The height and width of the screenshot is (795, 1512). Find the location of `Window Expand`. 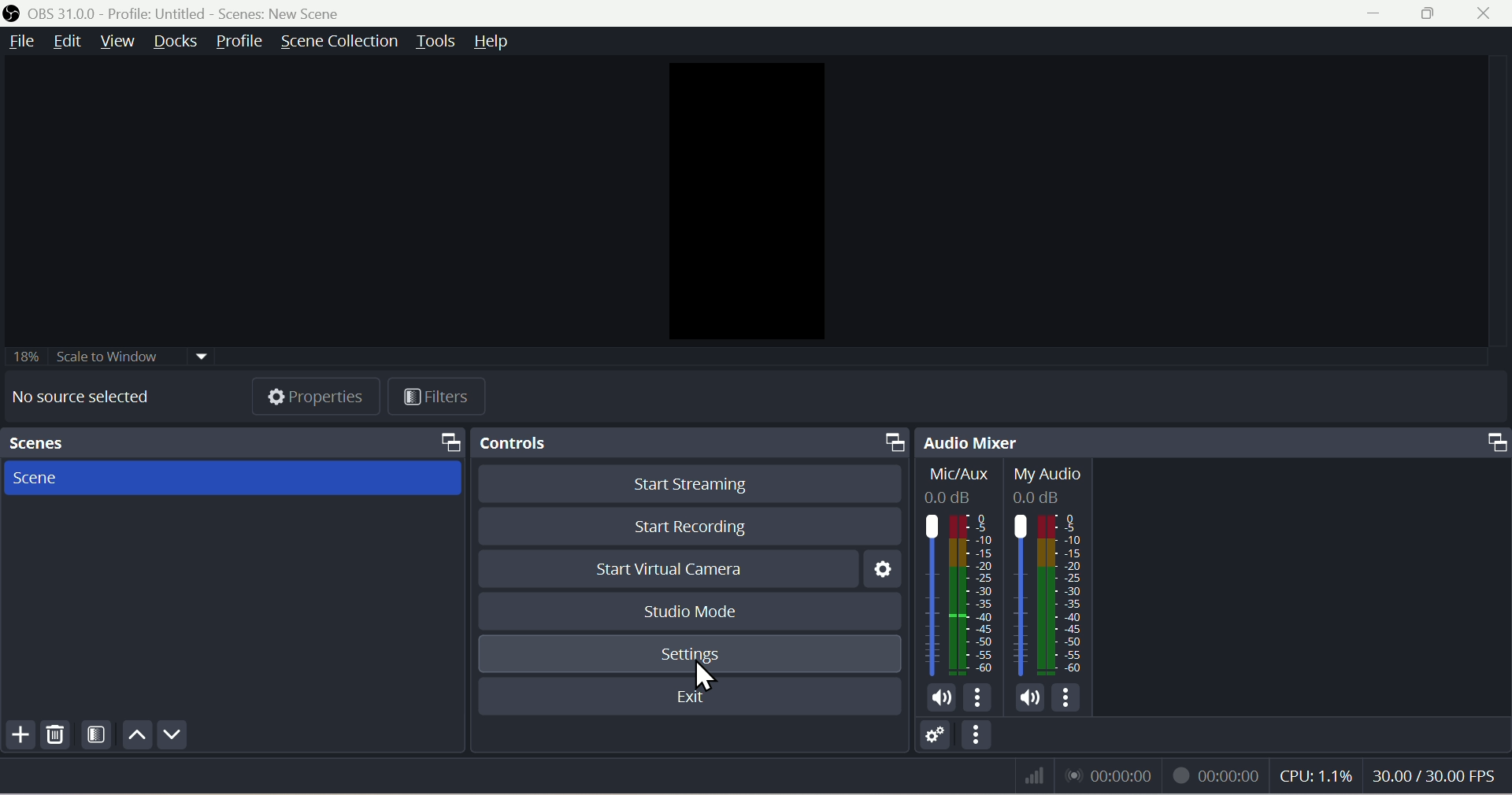

Window Expand is located at coordinates (1432, 13).